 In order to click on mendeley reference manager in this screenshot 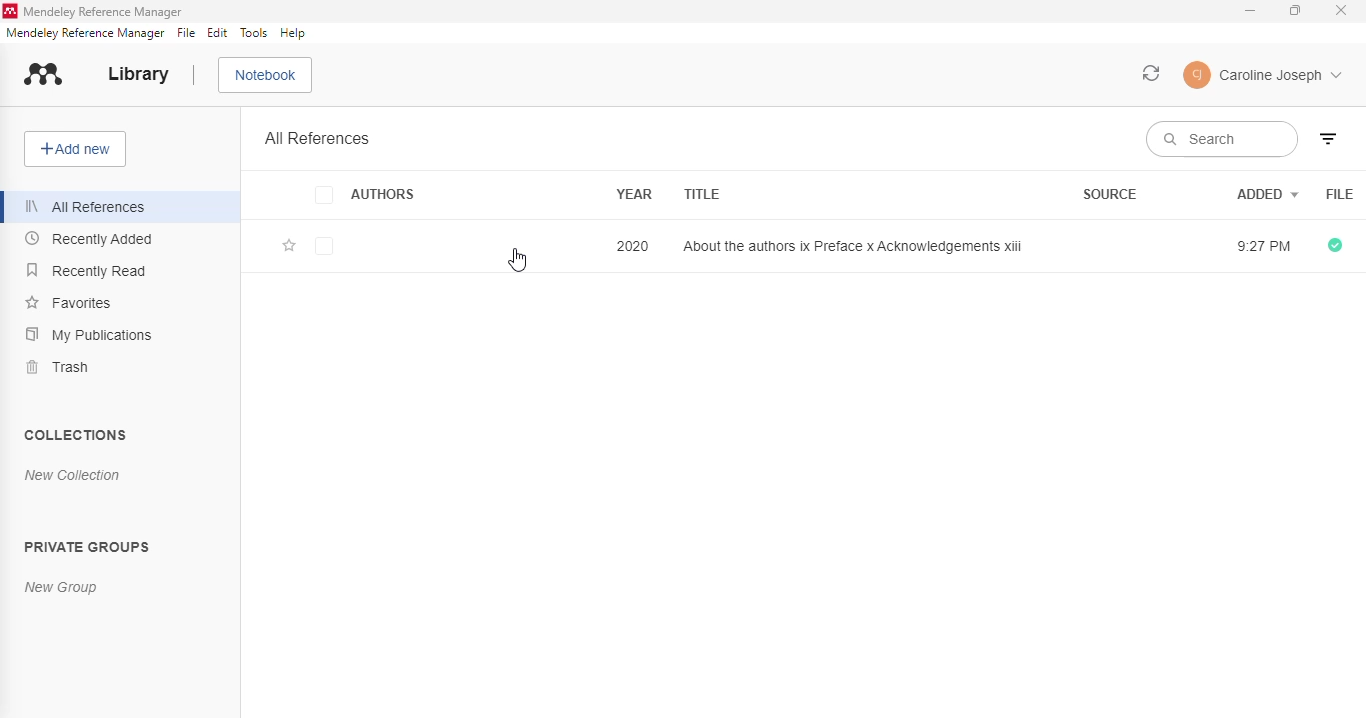, I will do `click(85, 33)`.